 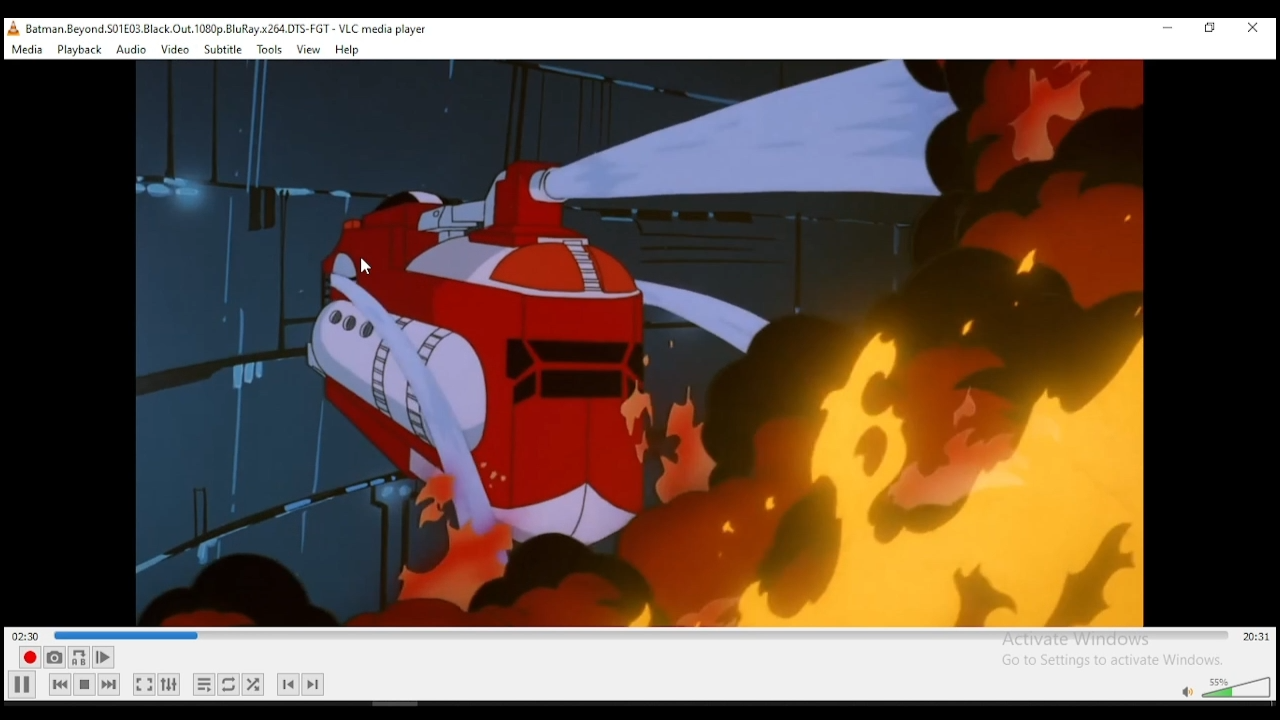 What do you see at coordinates (1236, 686) in the screenshot?
I see `volume` at bounding box center [1236, 686].